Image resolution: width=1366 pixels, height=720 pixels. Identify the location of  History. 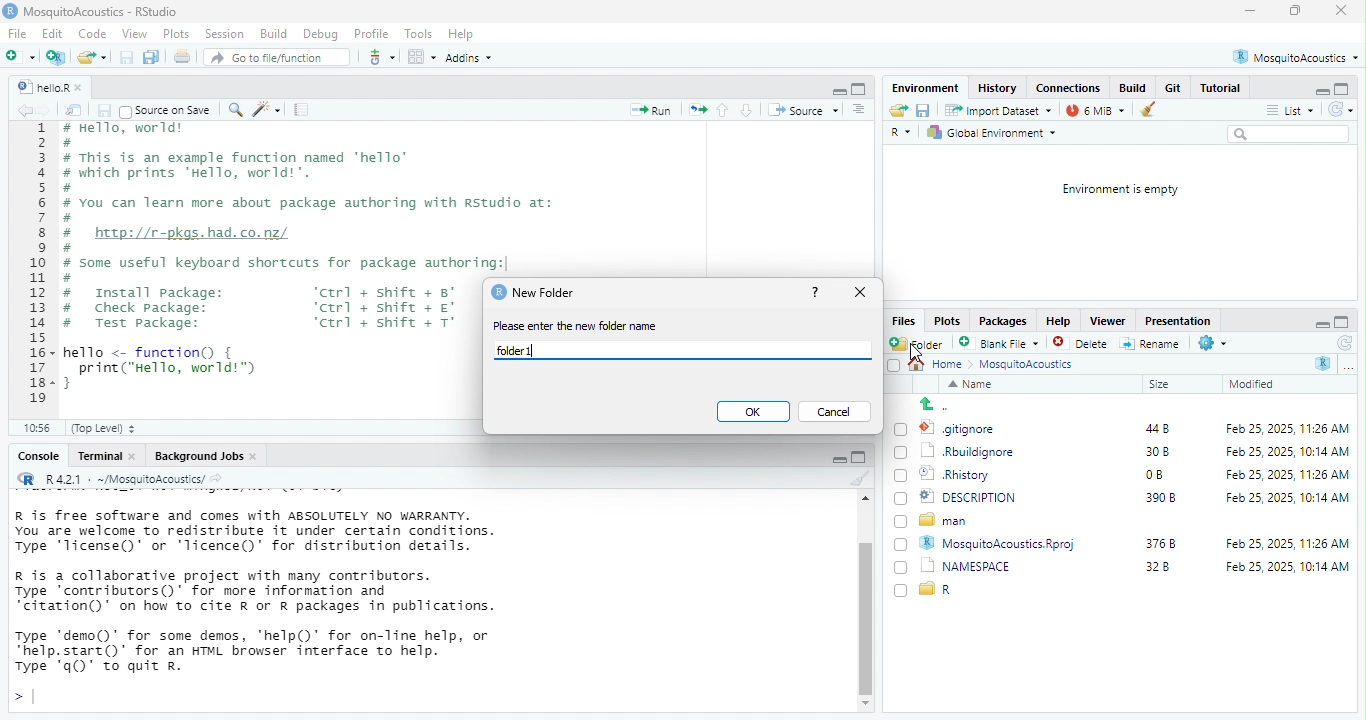
(1001, 88).